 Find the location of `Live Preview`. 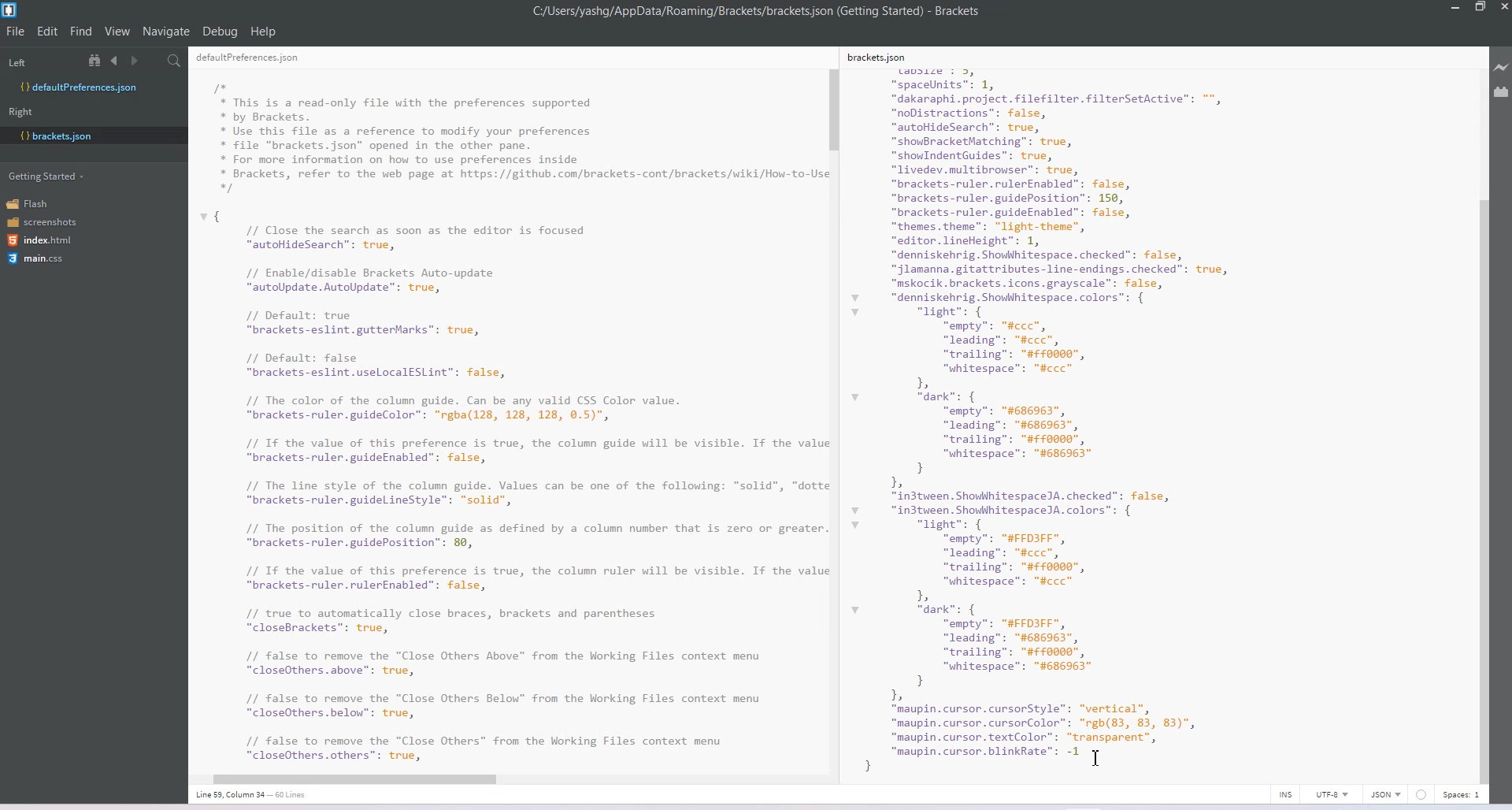

Live Preview is located at coordinates (1502, 68).